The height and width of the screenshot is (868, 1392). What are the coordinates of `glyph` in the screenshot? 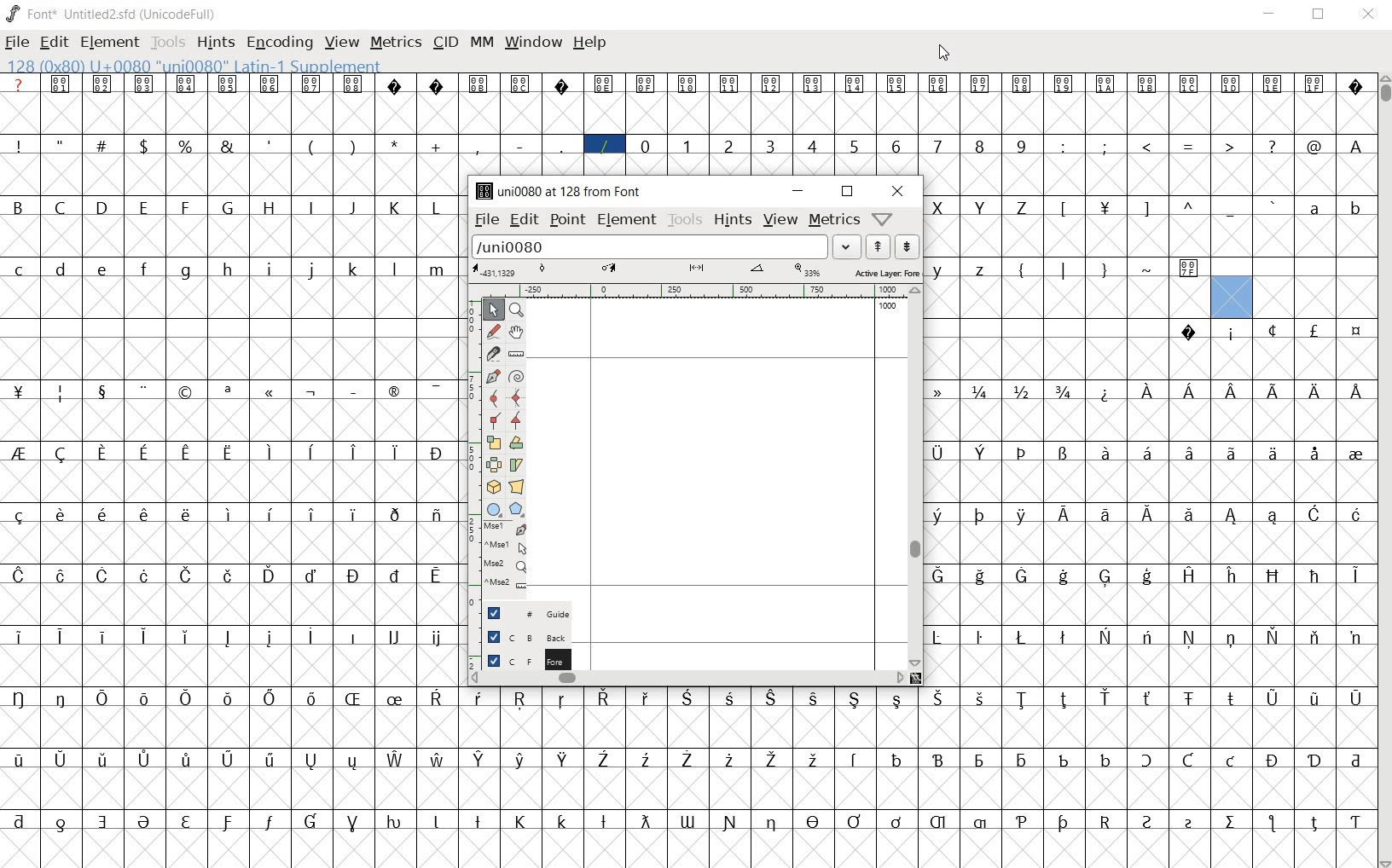 It's located at (728, 760).